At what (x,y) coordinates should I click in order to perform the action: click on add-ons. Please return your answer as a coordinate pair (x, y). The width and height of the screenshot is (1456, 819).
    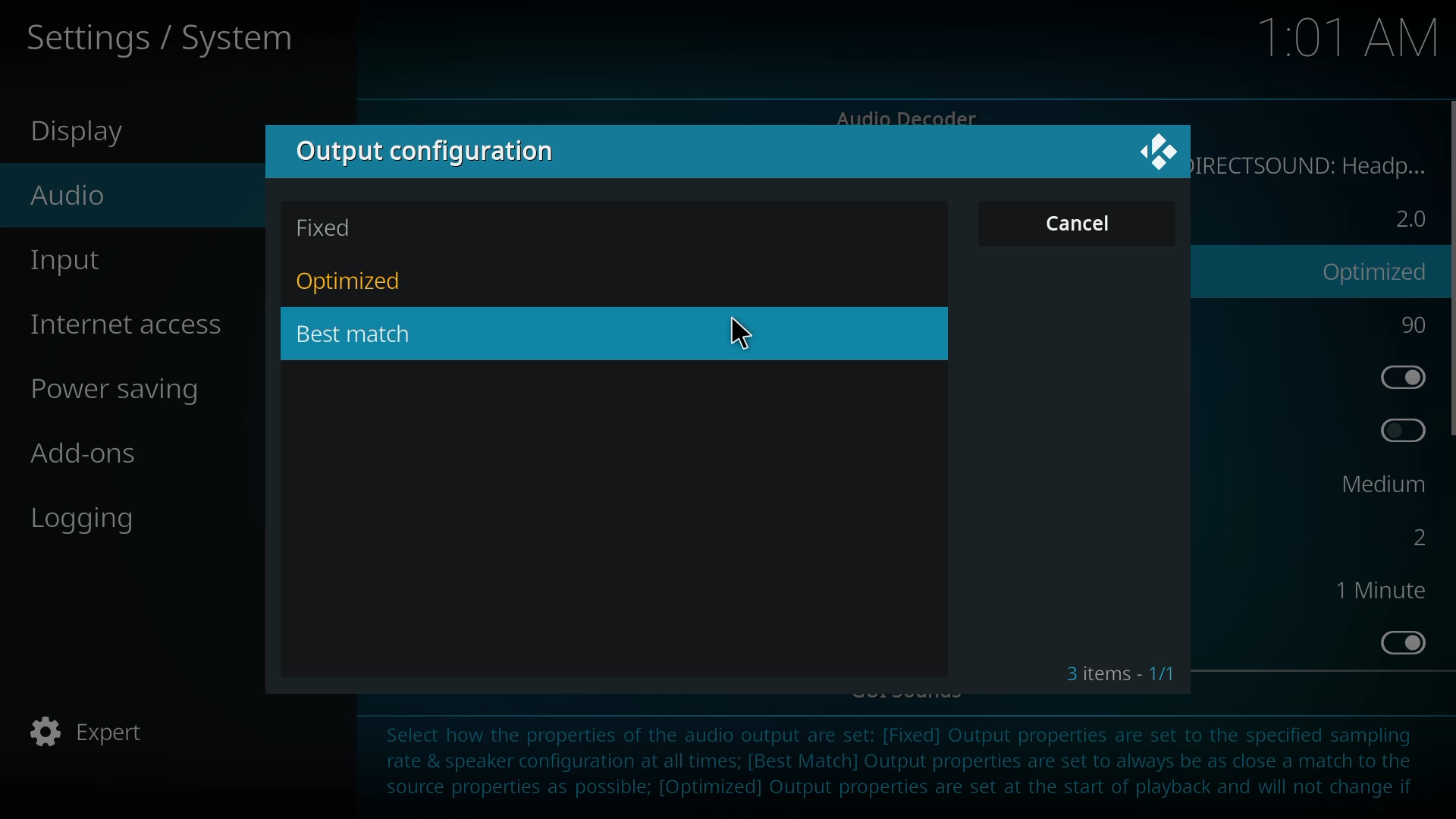
    Looking at the image, I should click on (89, 453).